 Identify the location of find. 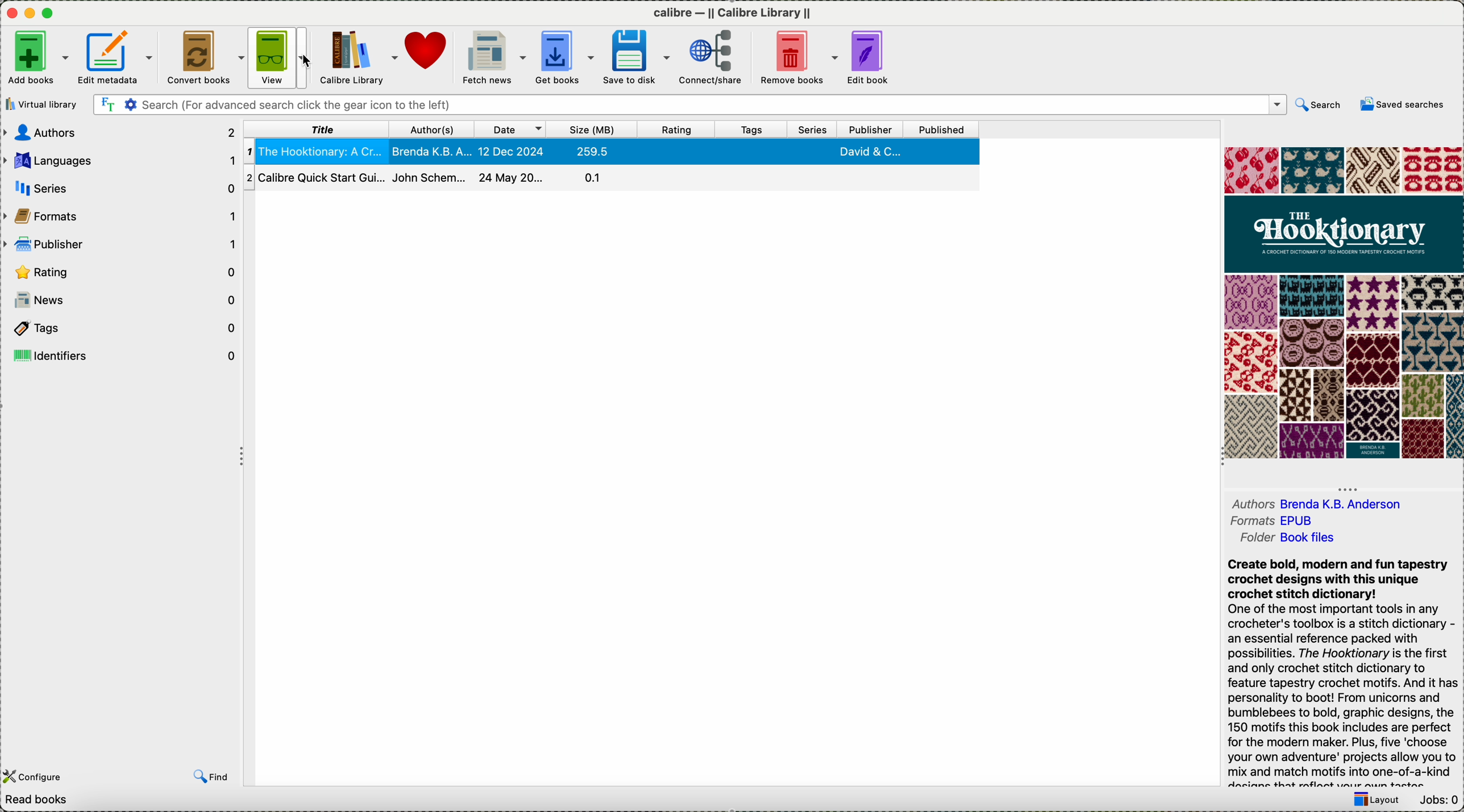
(211, 774).